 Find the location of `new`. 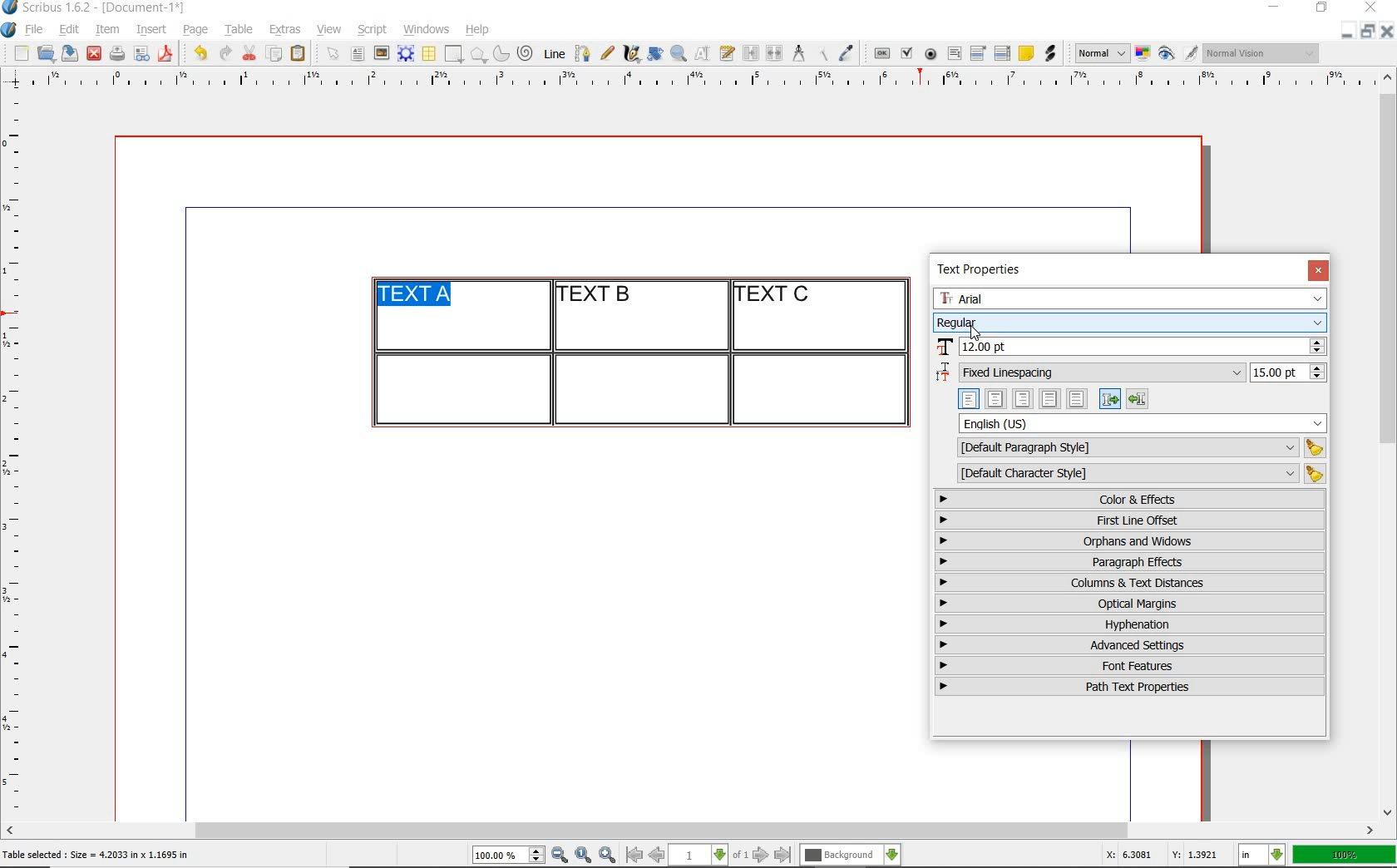

new is located at coordinates (19, 53).